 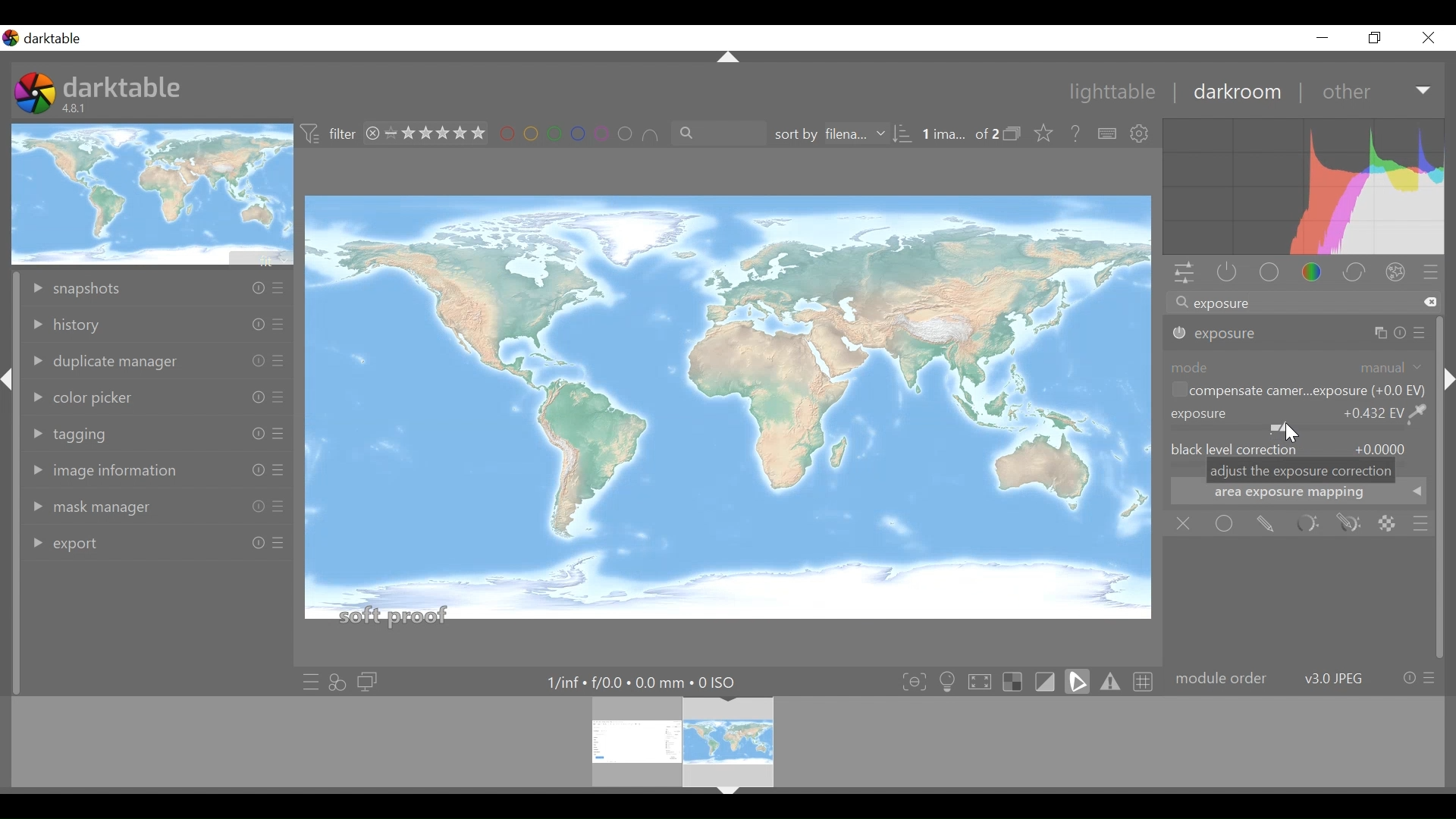 I want to click on , so click(x=253, y=544).